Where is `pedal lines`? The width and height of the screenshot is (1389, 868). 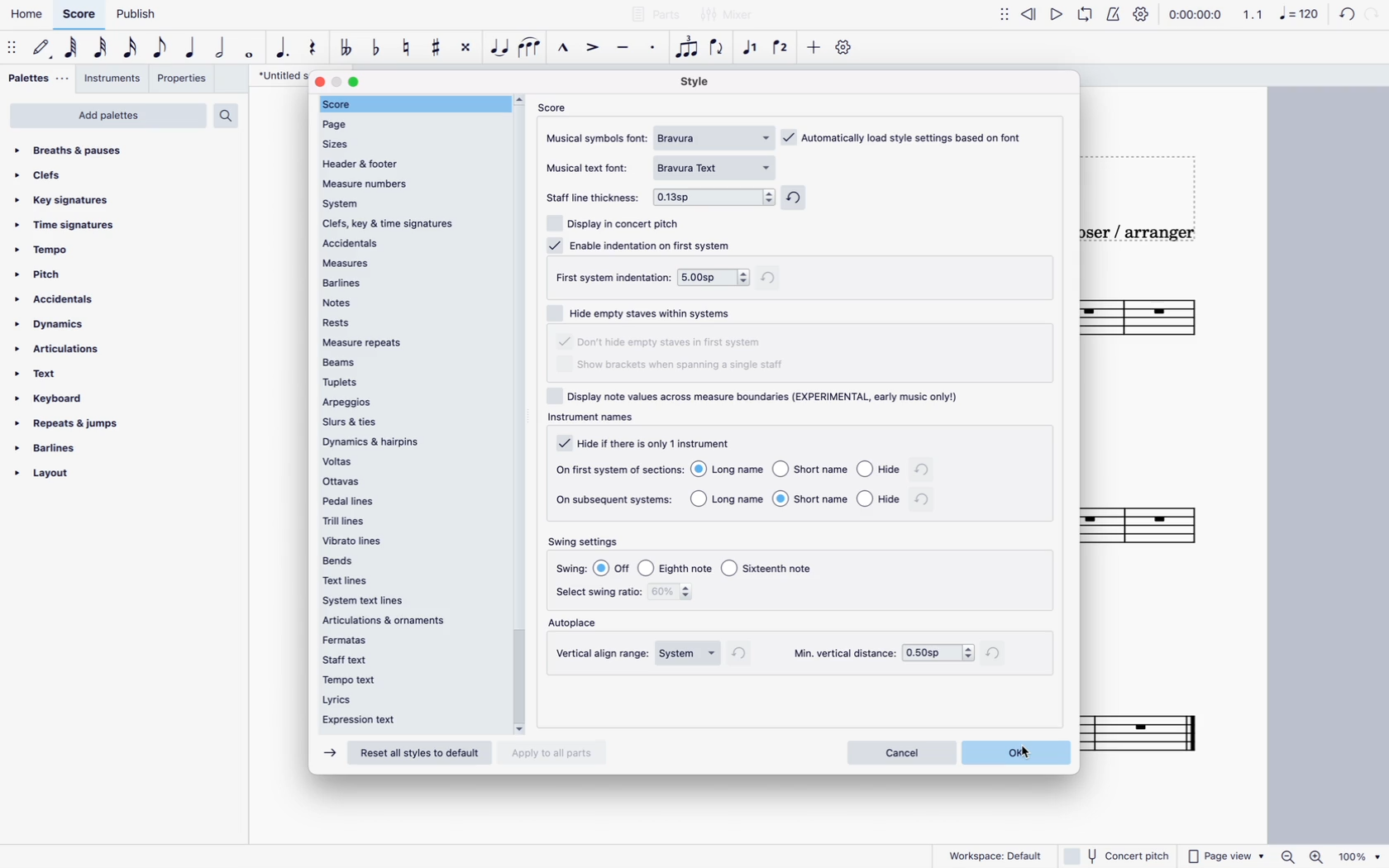 pedal lines is located at coordinates (416, 501).